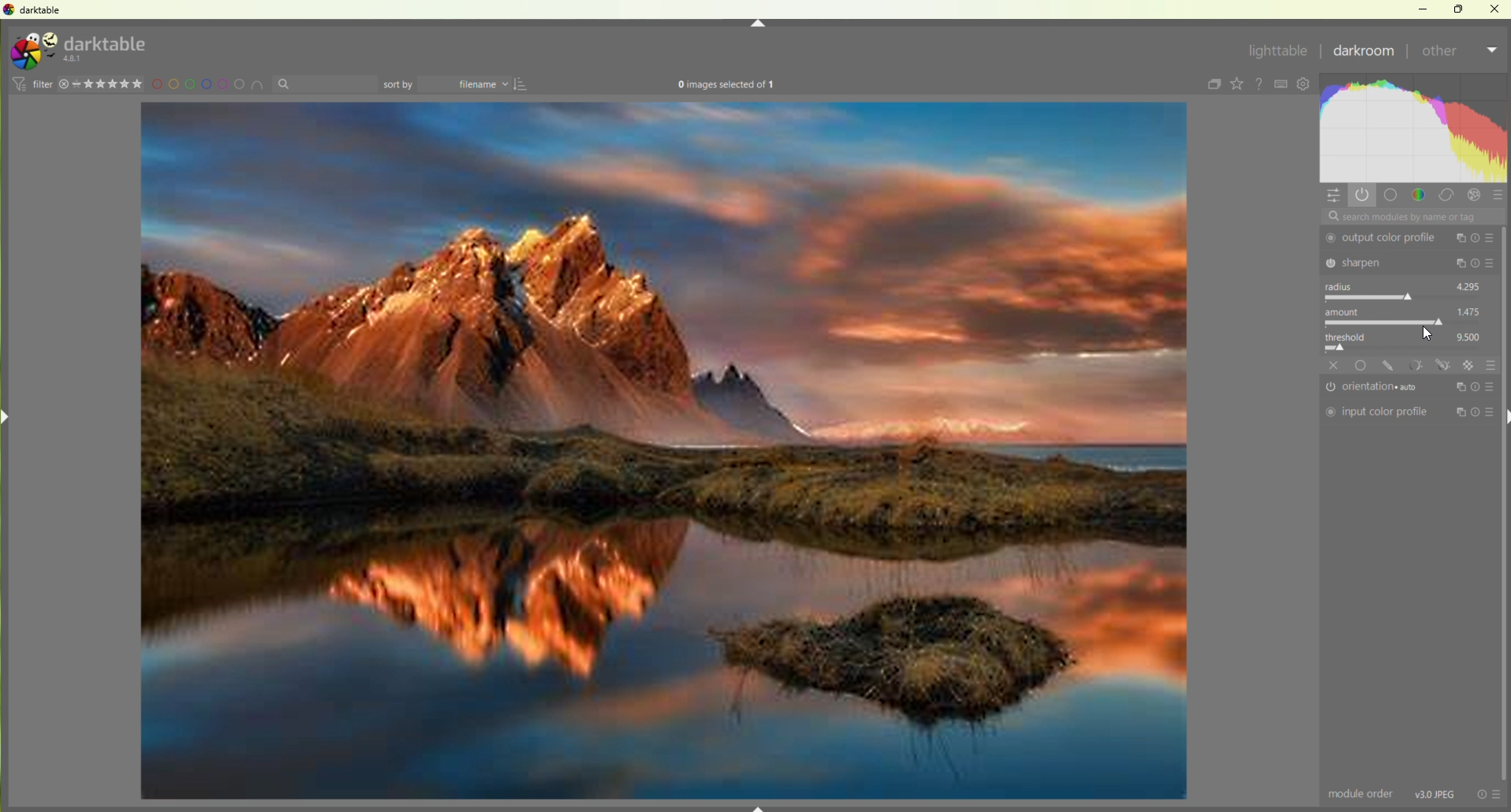 Image resolution: width=1511 pixels, height=812 pixels. What do you see at coordinates (1495, 8) in the screenshot?
I see `close` at bounding box center [1495, 8].